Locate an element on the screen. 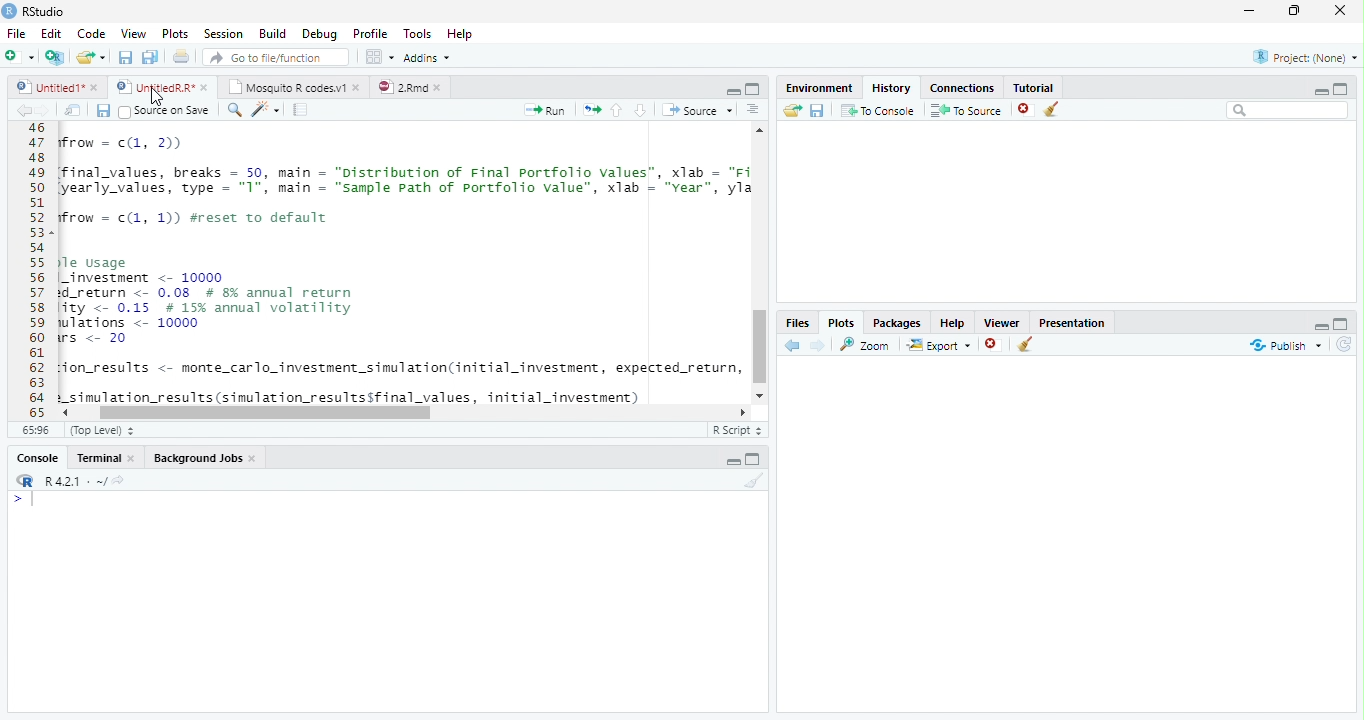 This screenshot has height=720, width=1364. Save all open files is located at coordinates (149, 57).